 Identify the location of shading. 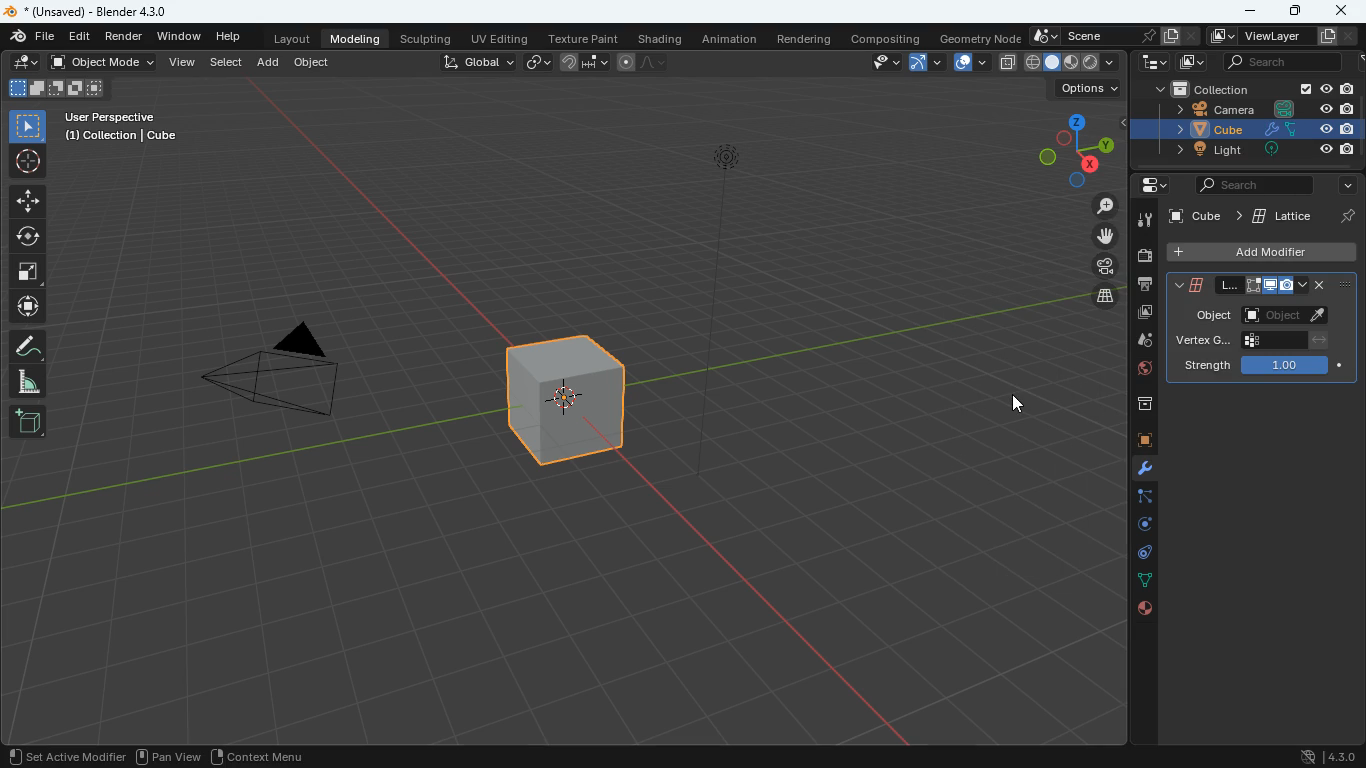
(663, 37).